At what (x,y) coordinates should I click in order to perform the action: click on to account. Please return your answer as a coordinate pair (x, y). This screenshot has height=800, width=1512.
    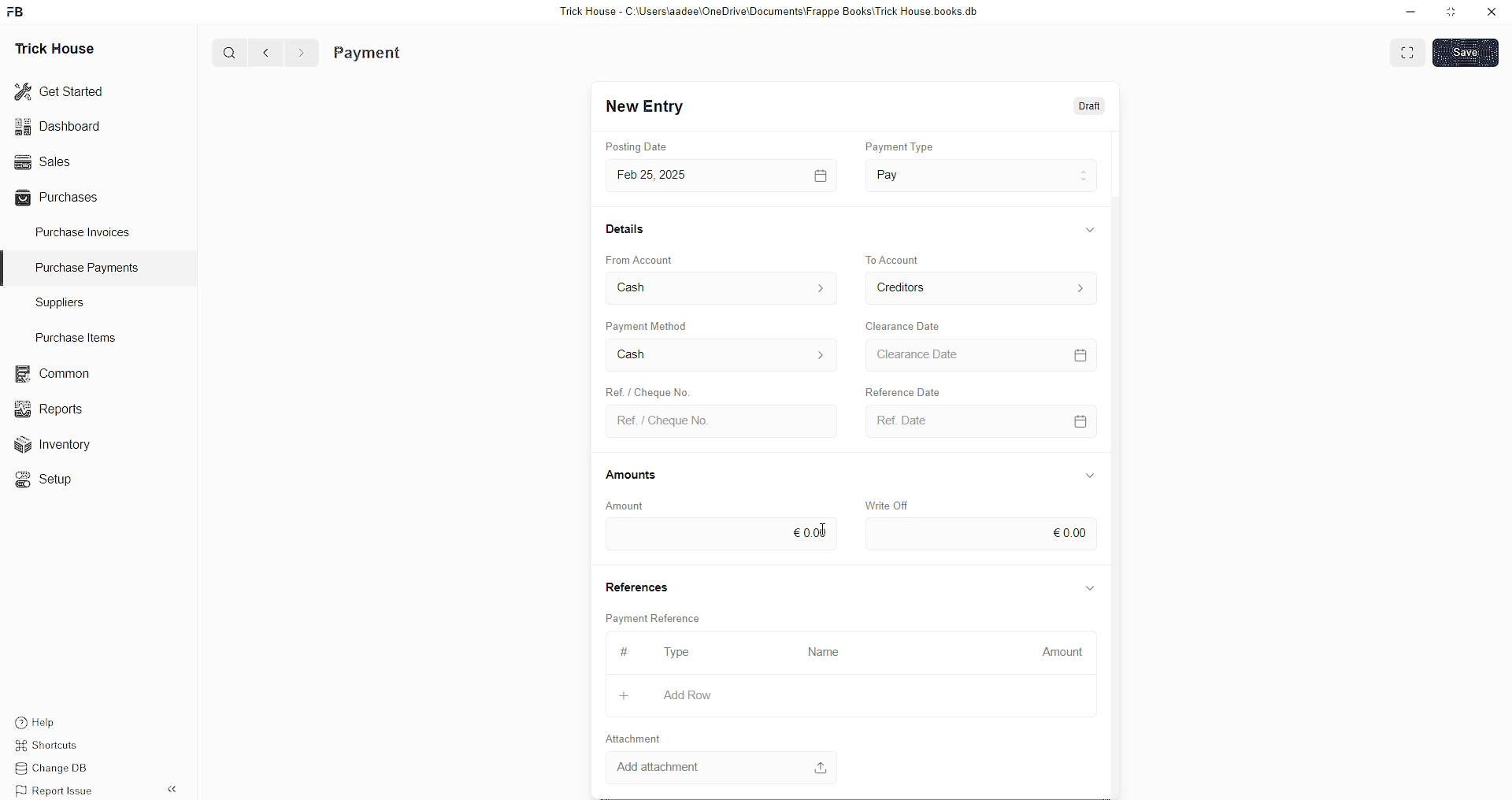
    Looking at the image, I should click on (899, 257).